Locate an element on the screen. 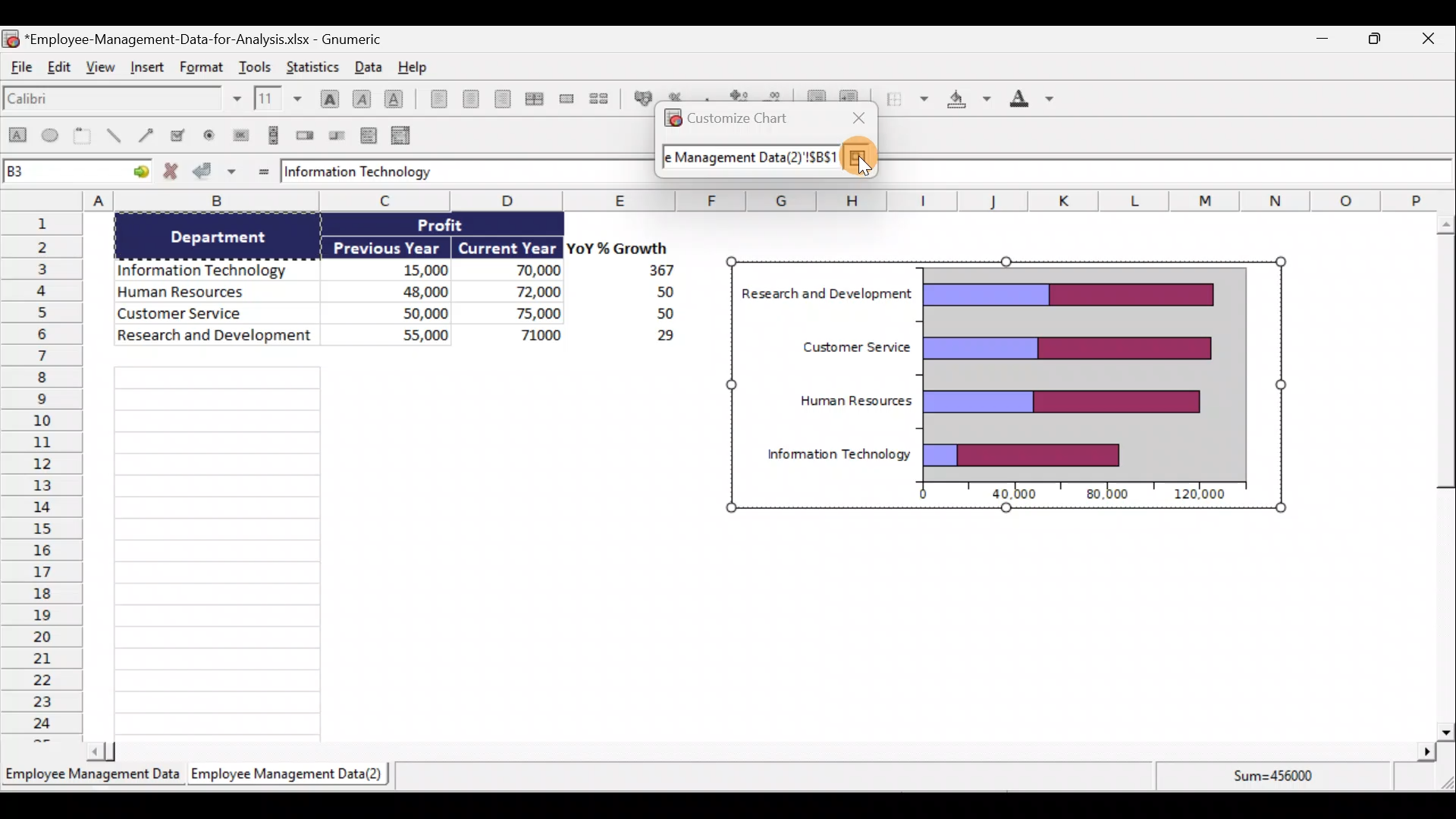 This screenshot has width=1456, height=819. Create a radio button is located at coordinates (212, 134).